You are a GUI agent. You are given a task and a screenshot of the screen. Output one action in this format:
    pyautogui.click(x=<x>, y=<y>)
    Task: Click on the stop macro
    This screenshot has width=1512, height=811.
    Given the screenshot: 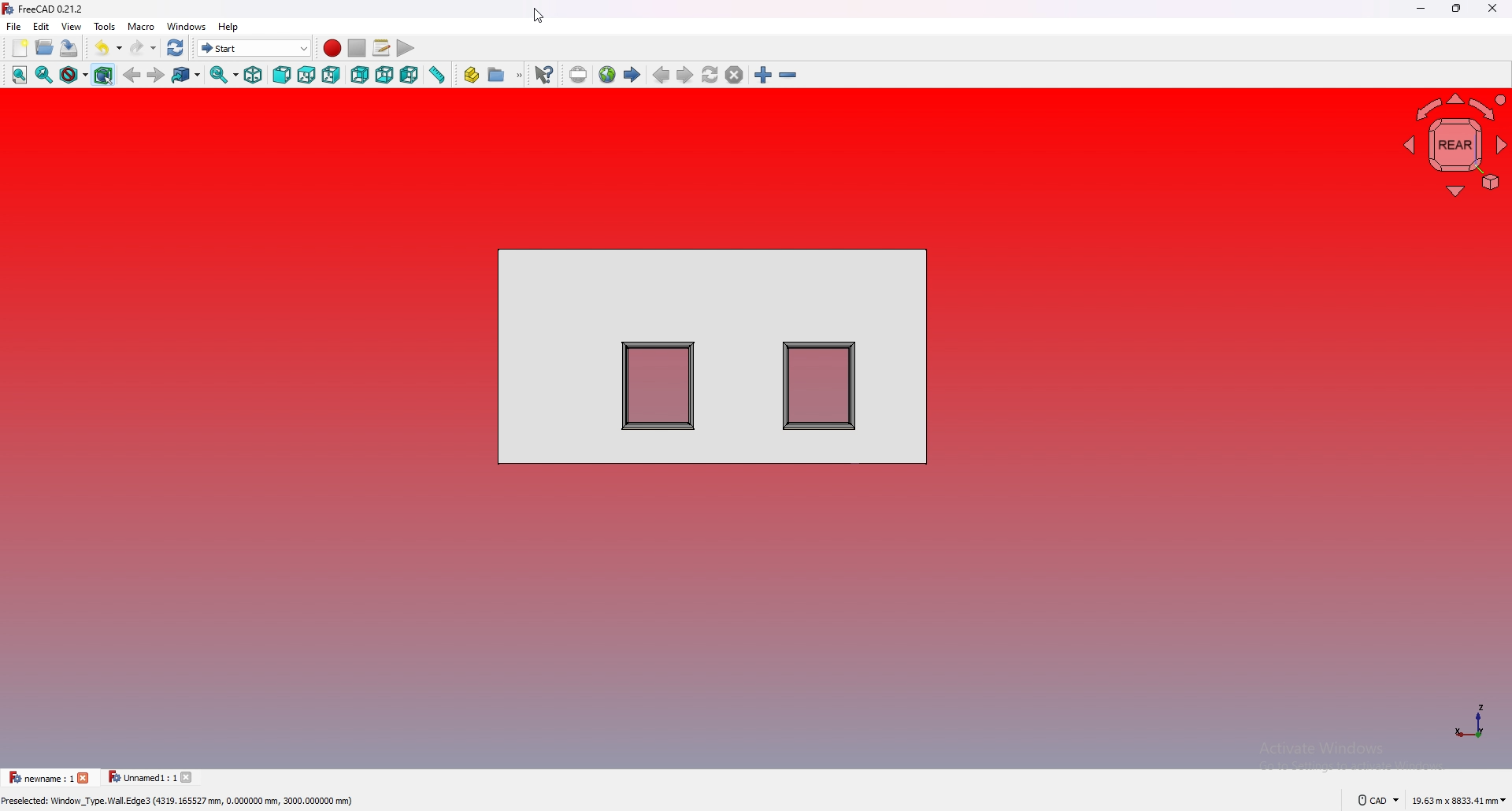 What is the action you would take?
    pyautogui.click(x=358, y=49)
    